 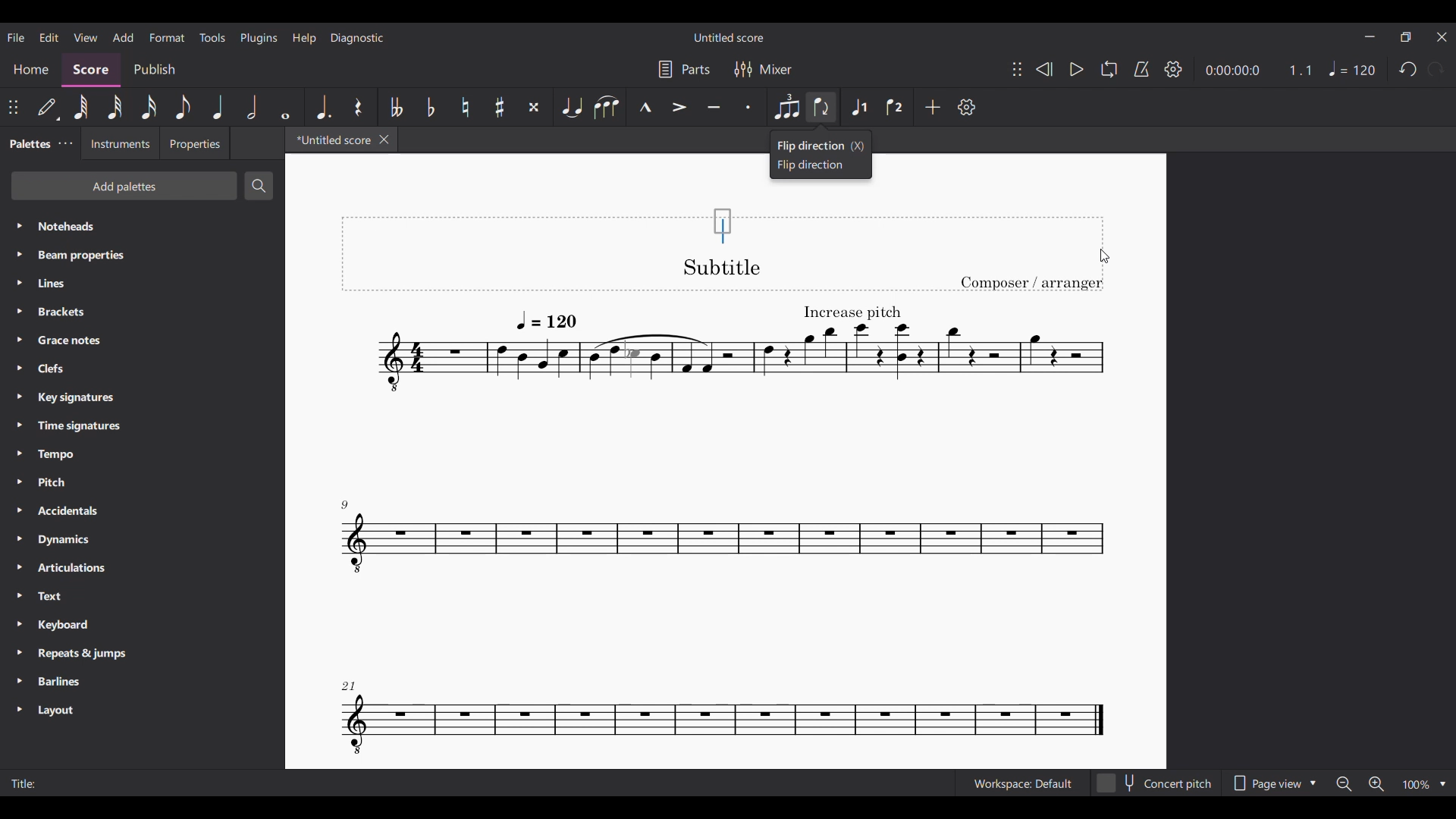 What do you see at coordinates (115, 107) in the screenshot?
I see `32nd note` at bounding box center [115, 107].